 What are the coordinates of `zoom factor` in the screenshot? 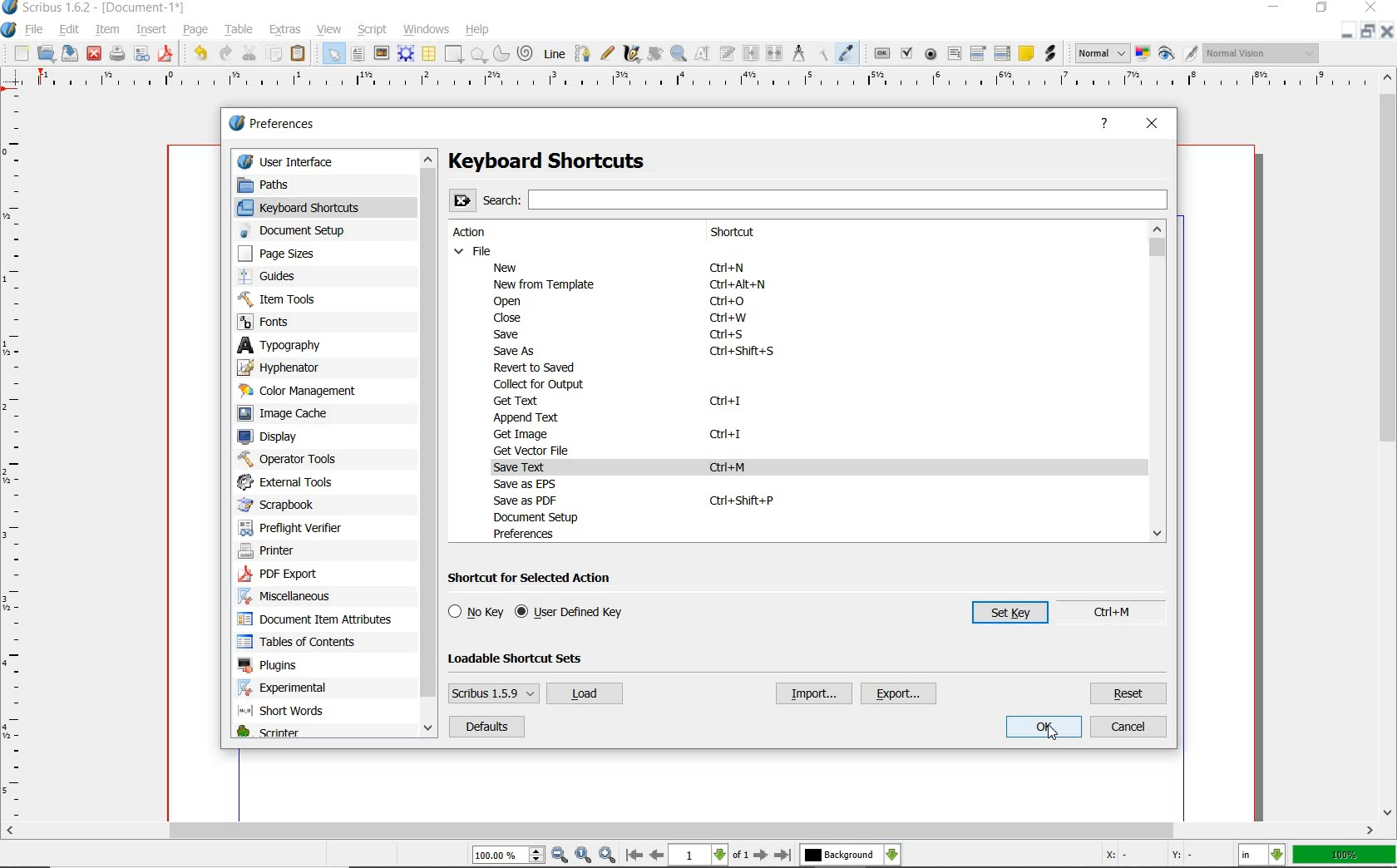 It's located at (1345, 856).